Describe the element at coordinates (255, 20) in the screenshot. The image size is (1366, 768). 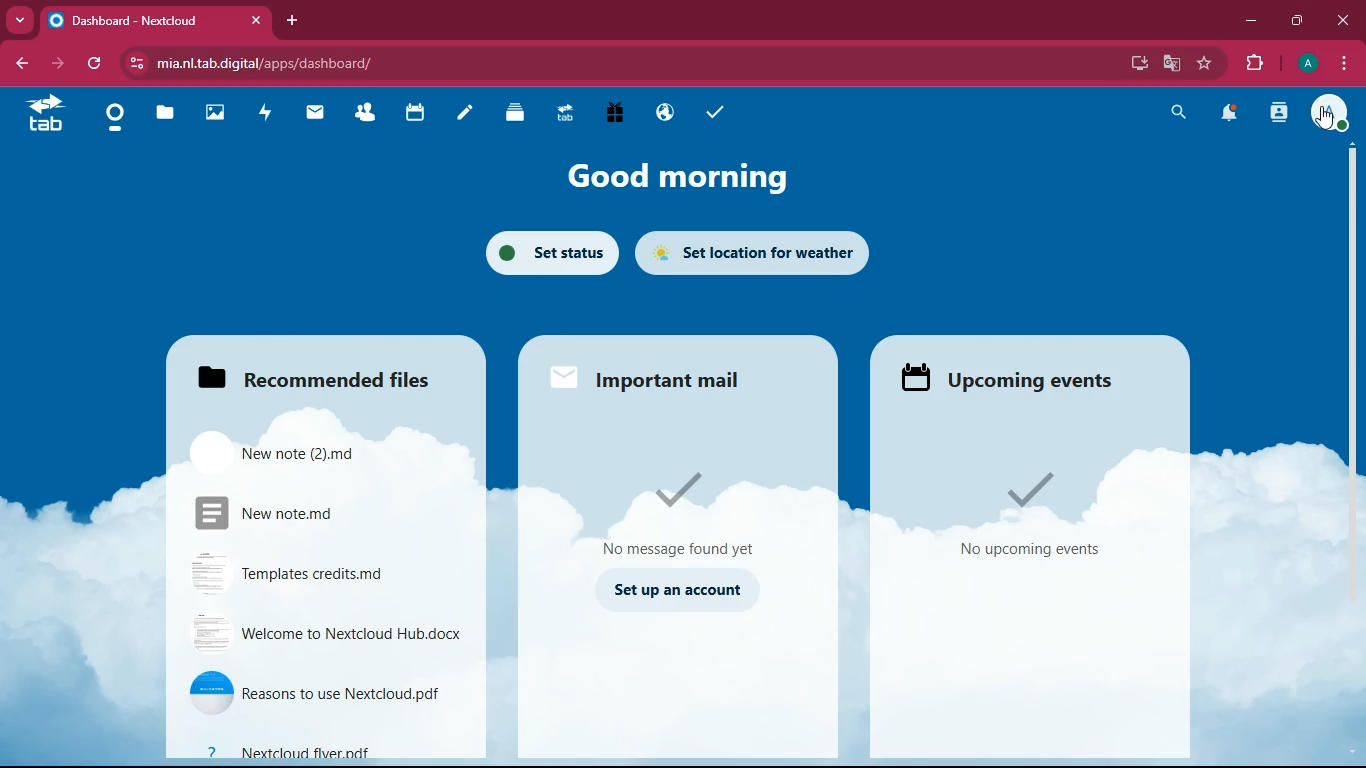
I see `close` at that location.